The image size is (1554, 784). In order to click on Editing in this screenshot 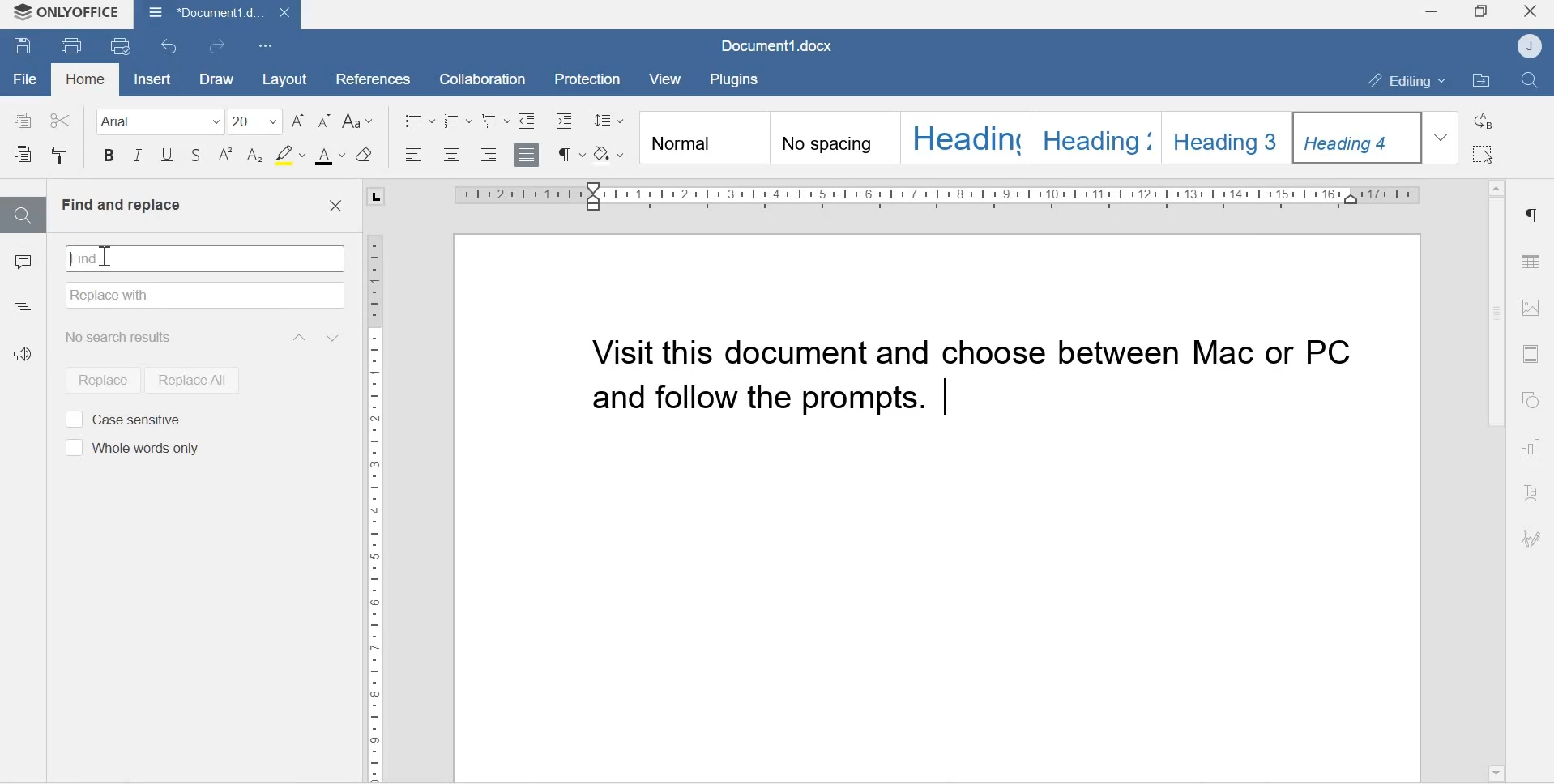, I will do `click(1398, 80)`.